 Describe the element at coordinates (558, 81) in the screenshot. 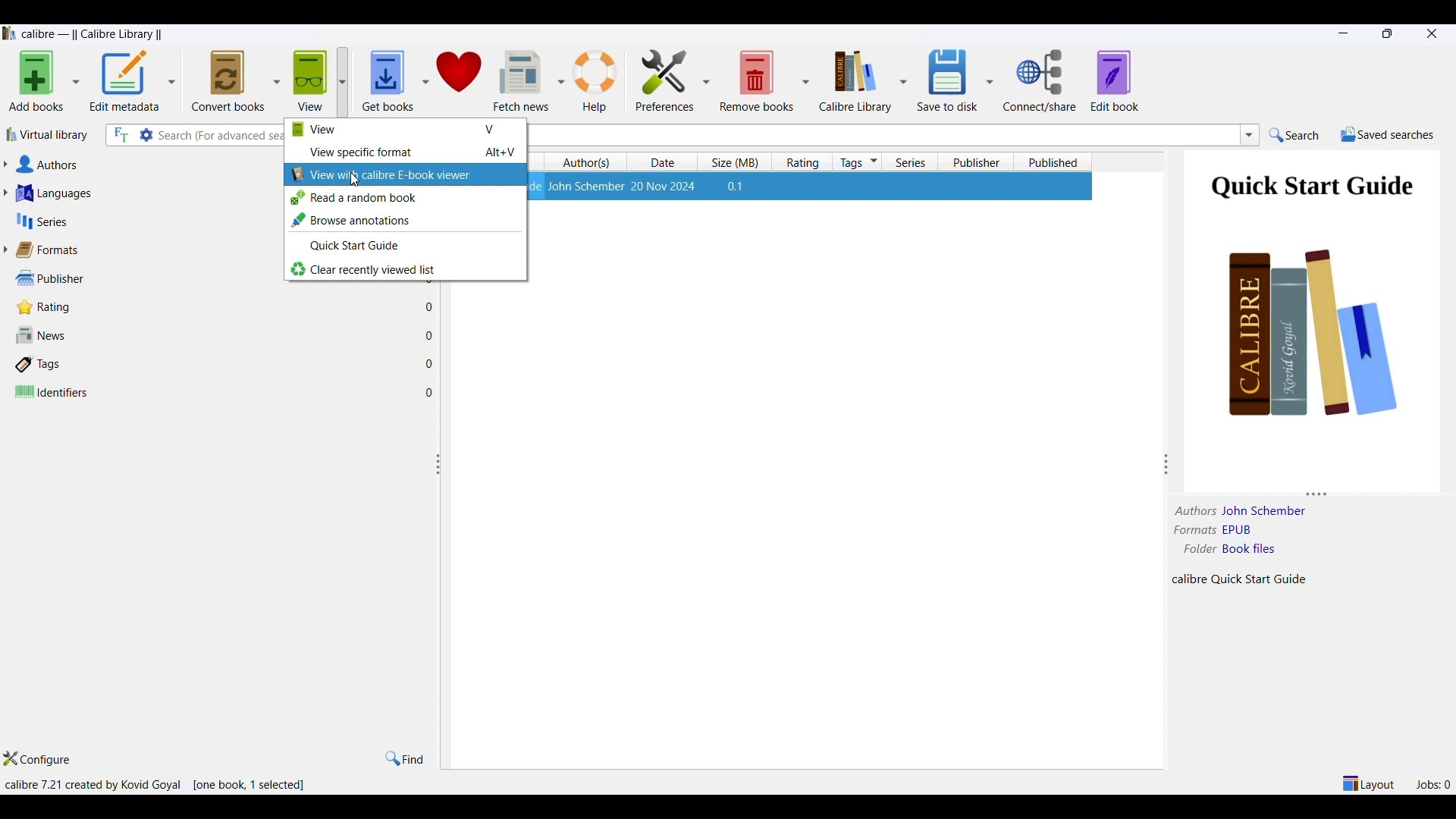

I see `fetch news options dropdown button` at that location.